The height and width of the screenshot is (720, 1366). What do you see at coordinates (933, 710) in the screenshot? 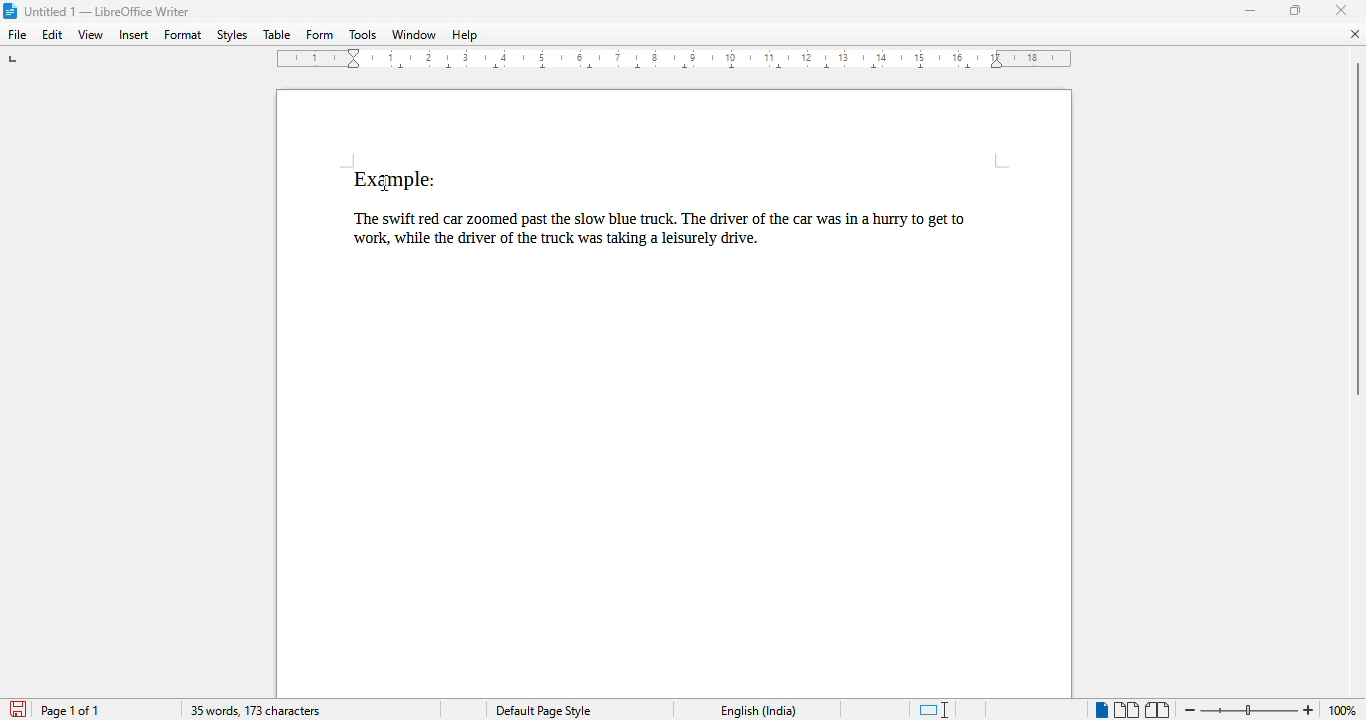
I see `standard selection` at bounding box center [933, 710].